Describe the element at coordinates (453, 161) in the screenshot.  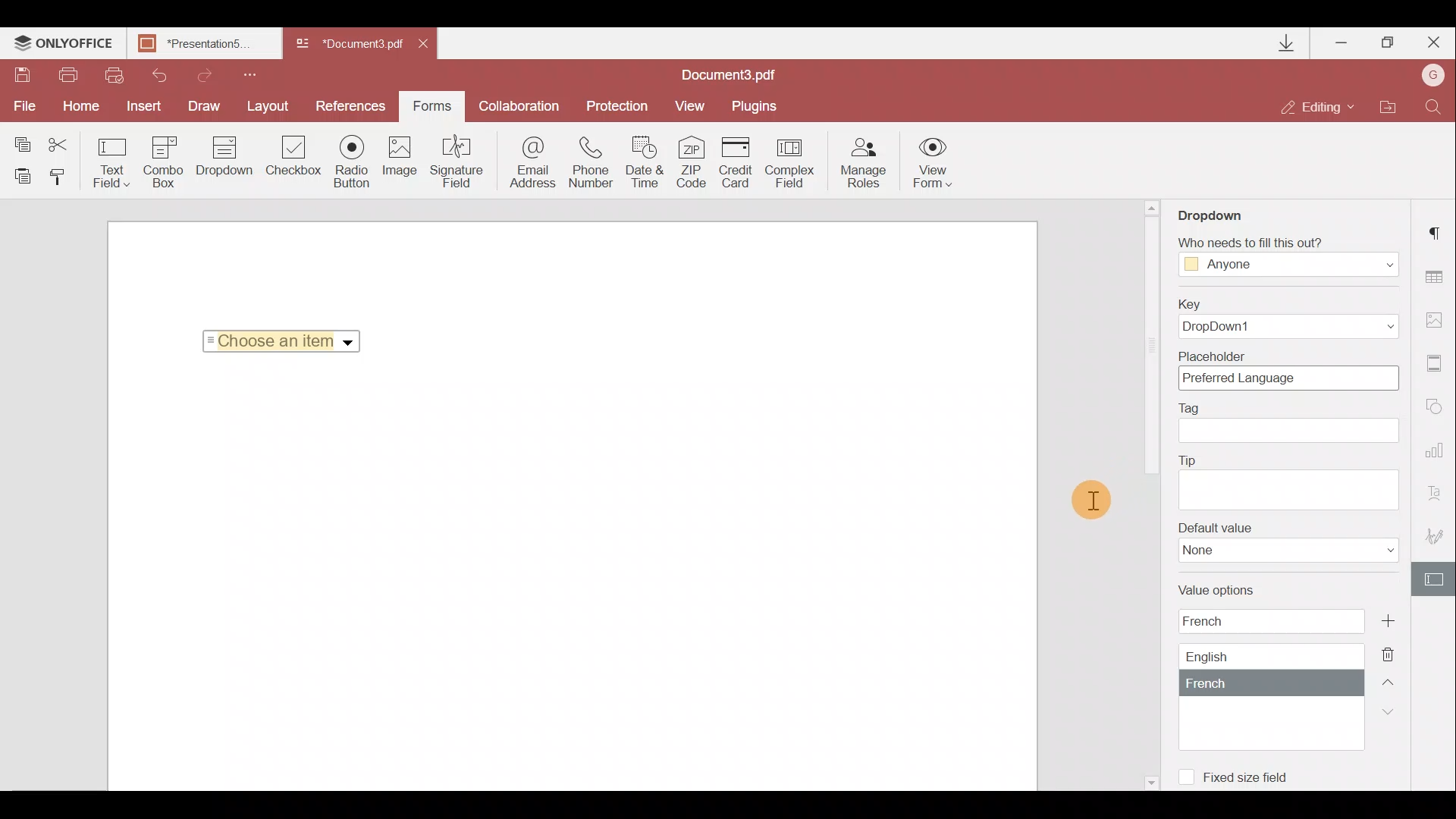
I see `Signature field` at that location.